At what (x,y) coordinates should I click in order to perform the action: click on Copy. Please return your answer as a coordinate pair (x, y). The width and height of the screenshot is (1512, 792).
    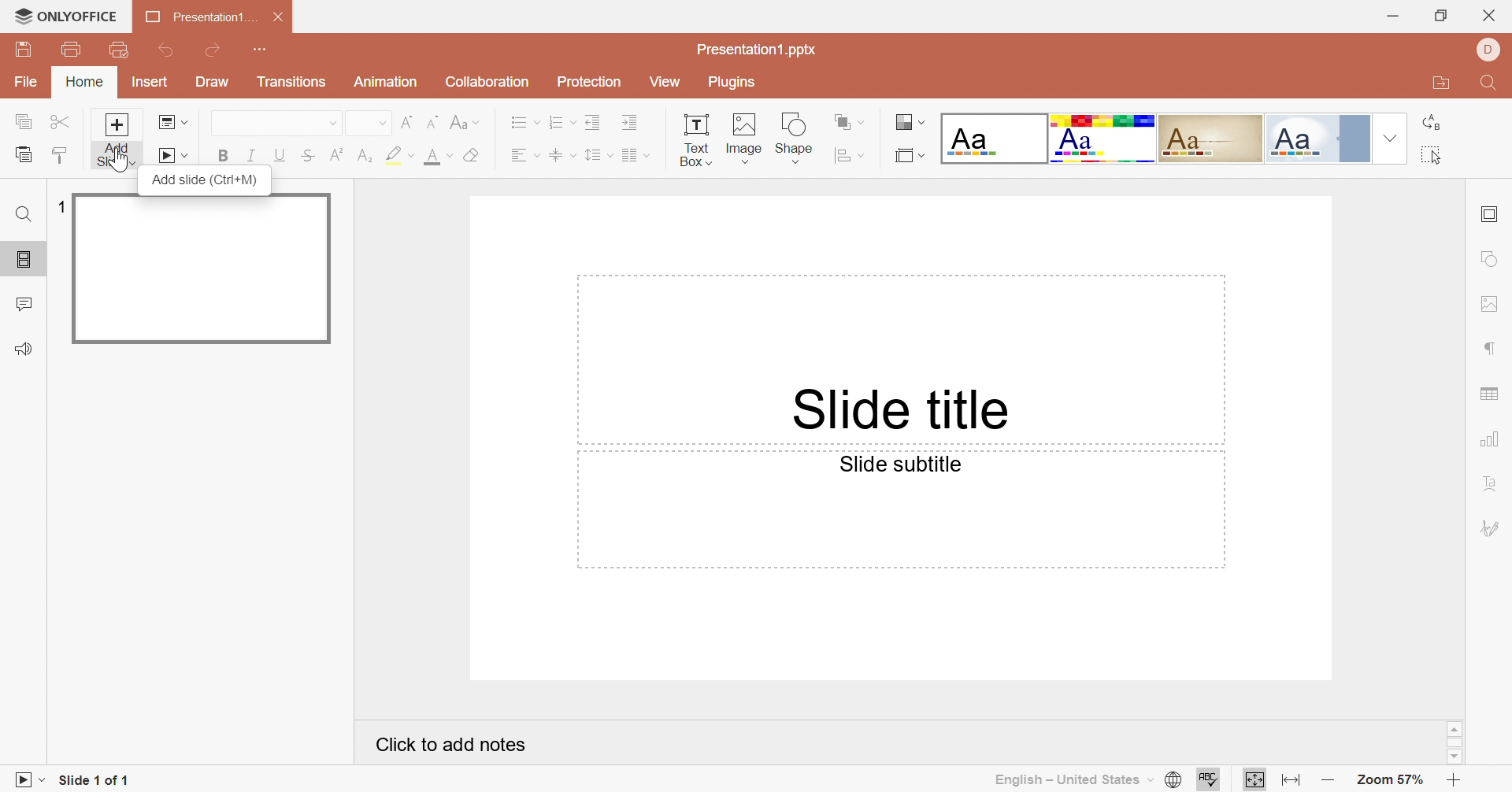
    Looking at the image, I should click on (23, 120).